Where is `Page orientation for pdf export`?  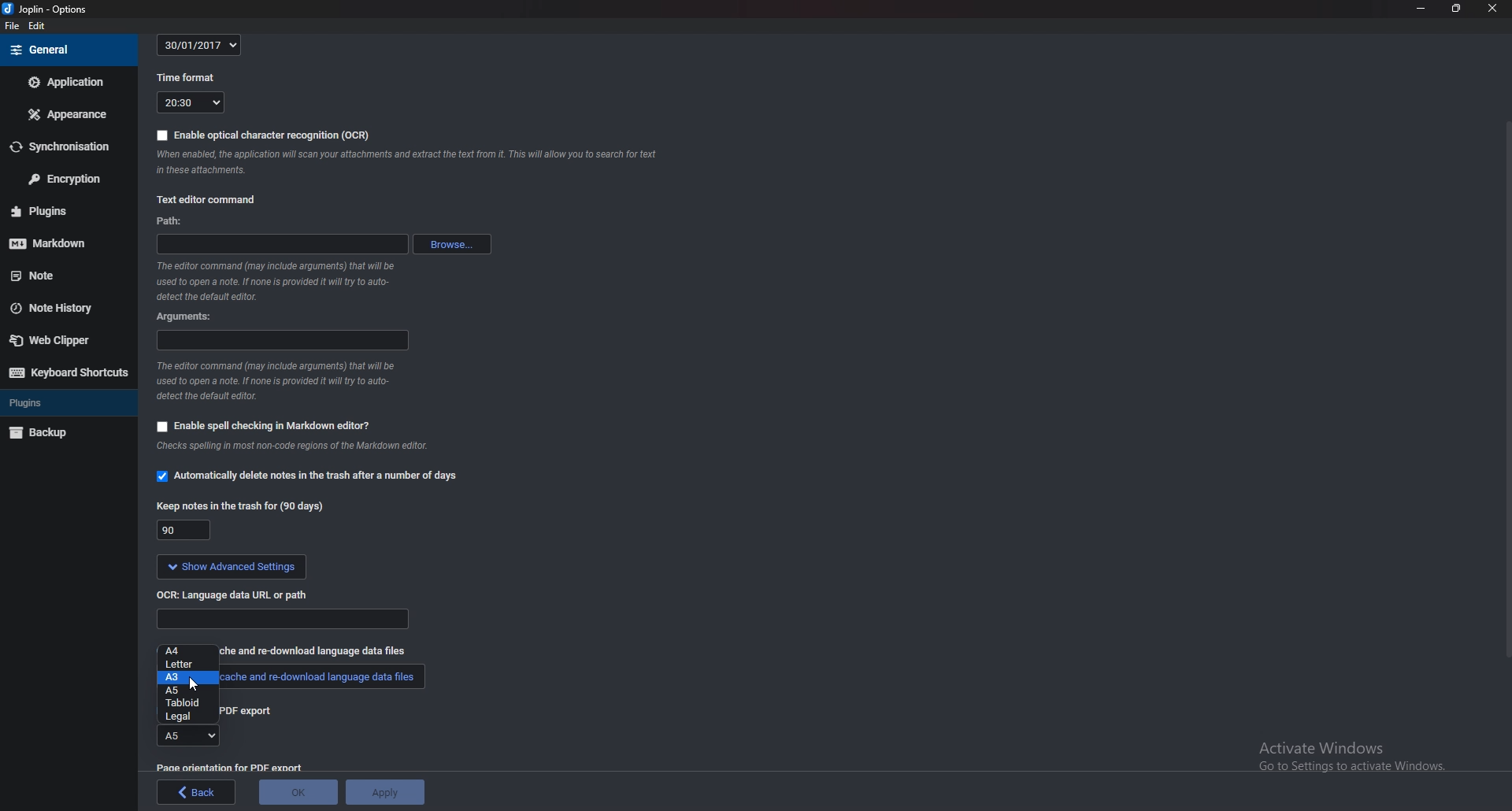 Page orientation for pdf export is located at coordinates (232, 767).